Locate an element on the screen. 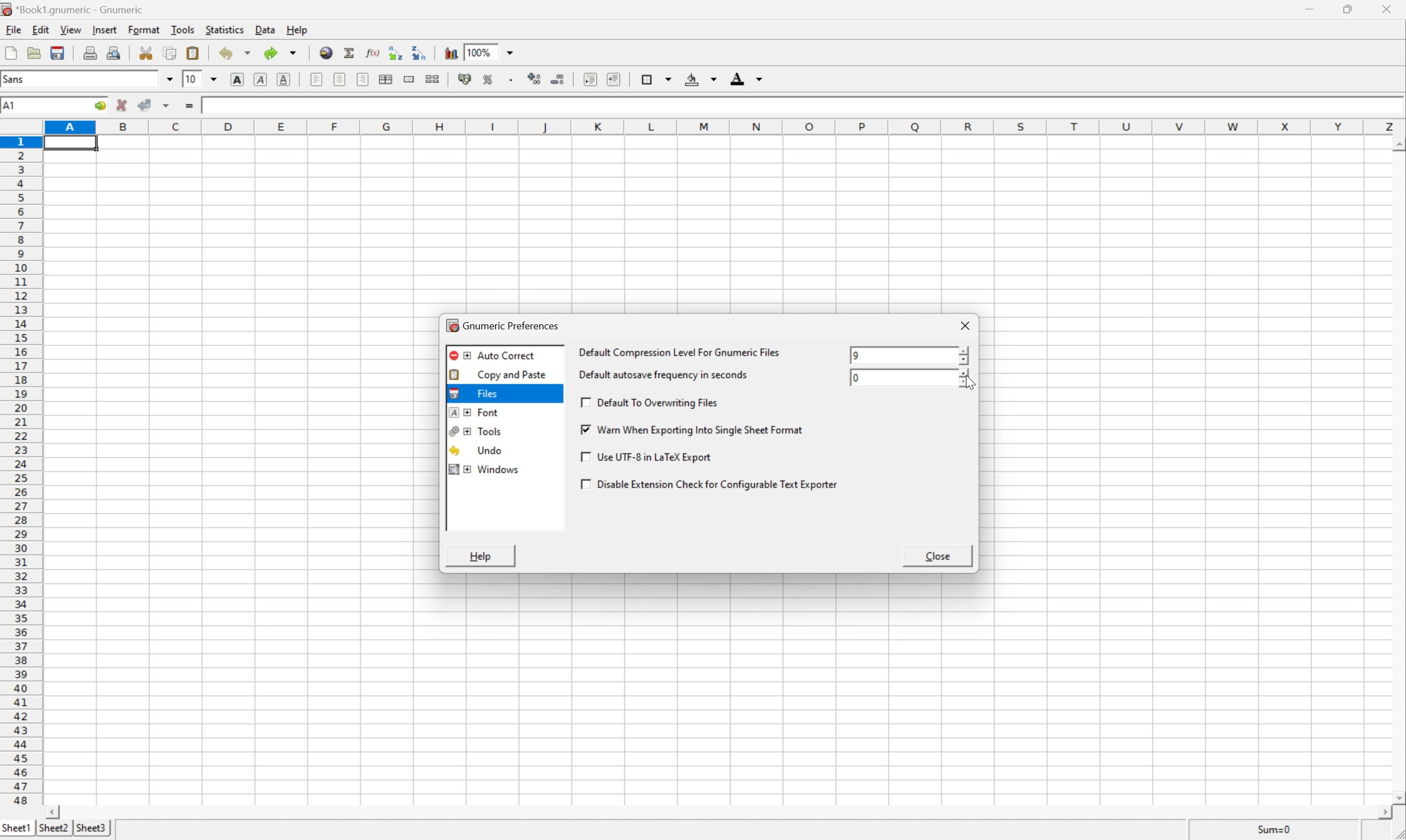 The width and height of the screenshot is (1406, 840). close is located at coordinates (968, 327).